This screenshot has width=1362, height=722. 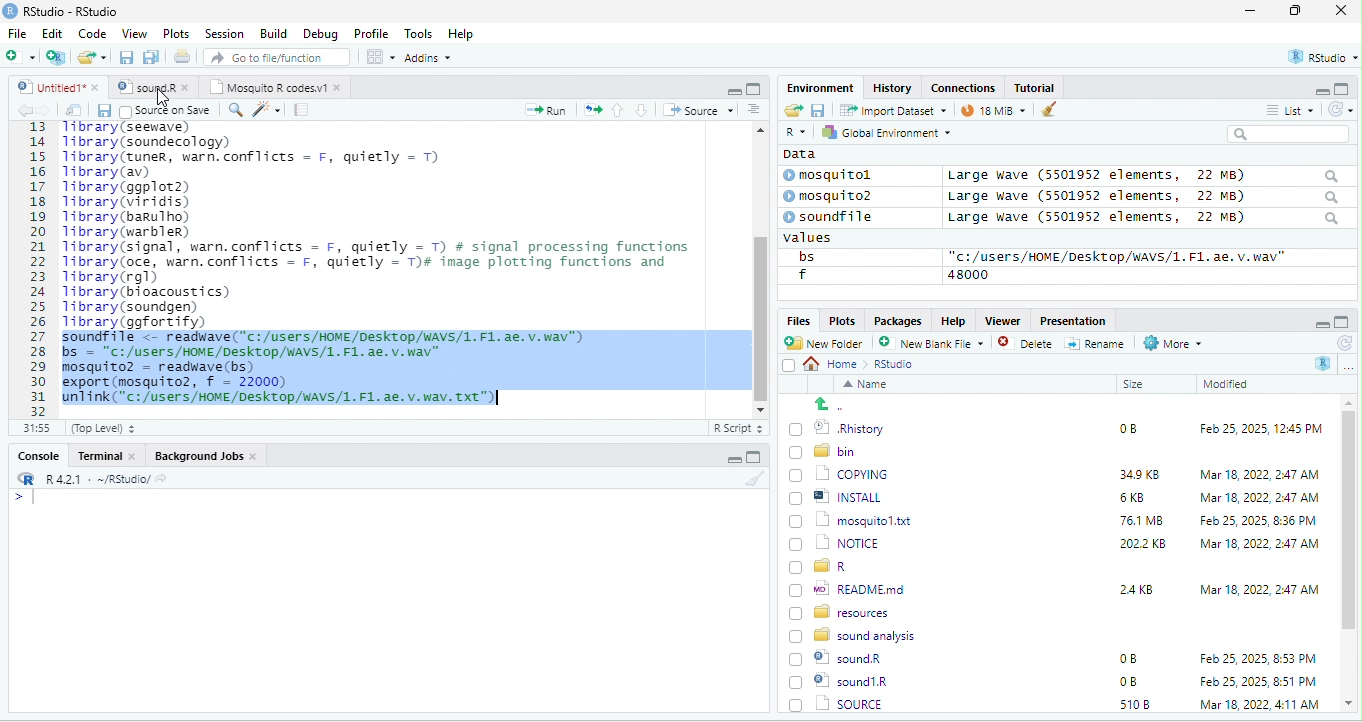 I want to click on maximize, so click(x=753, y=457).